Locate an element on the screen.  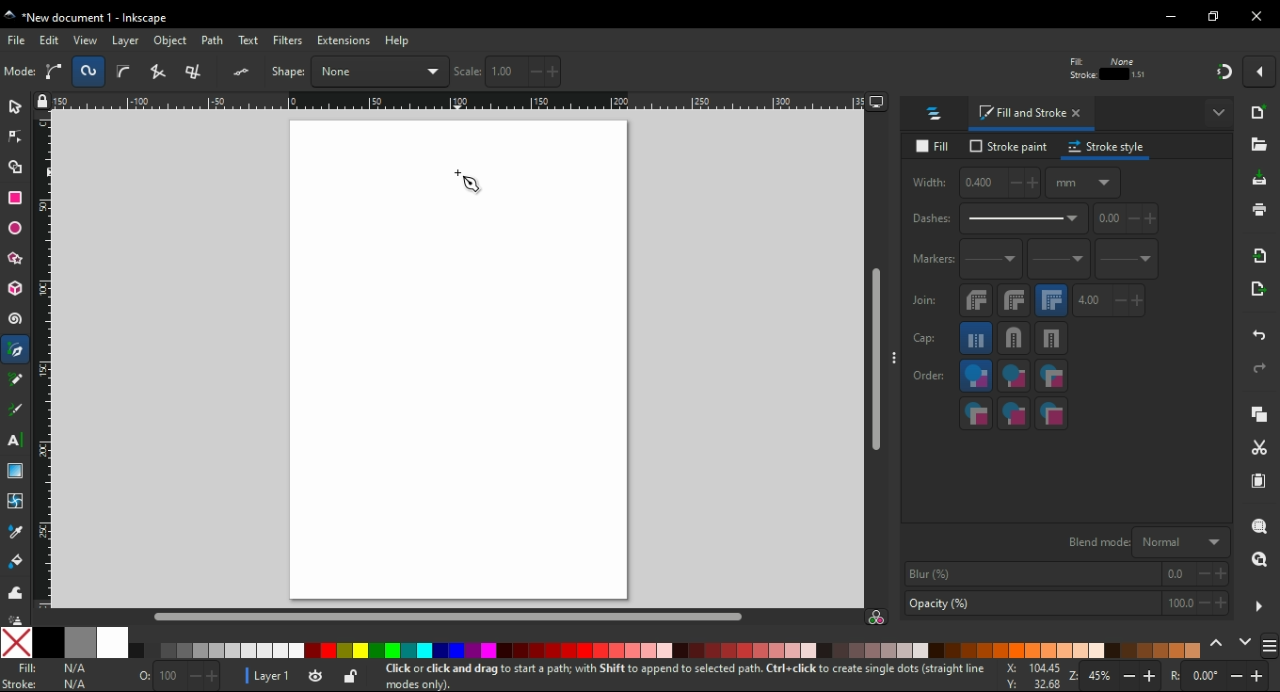
color tone pallete is located at coordinates (875, 650).